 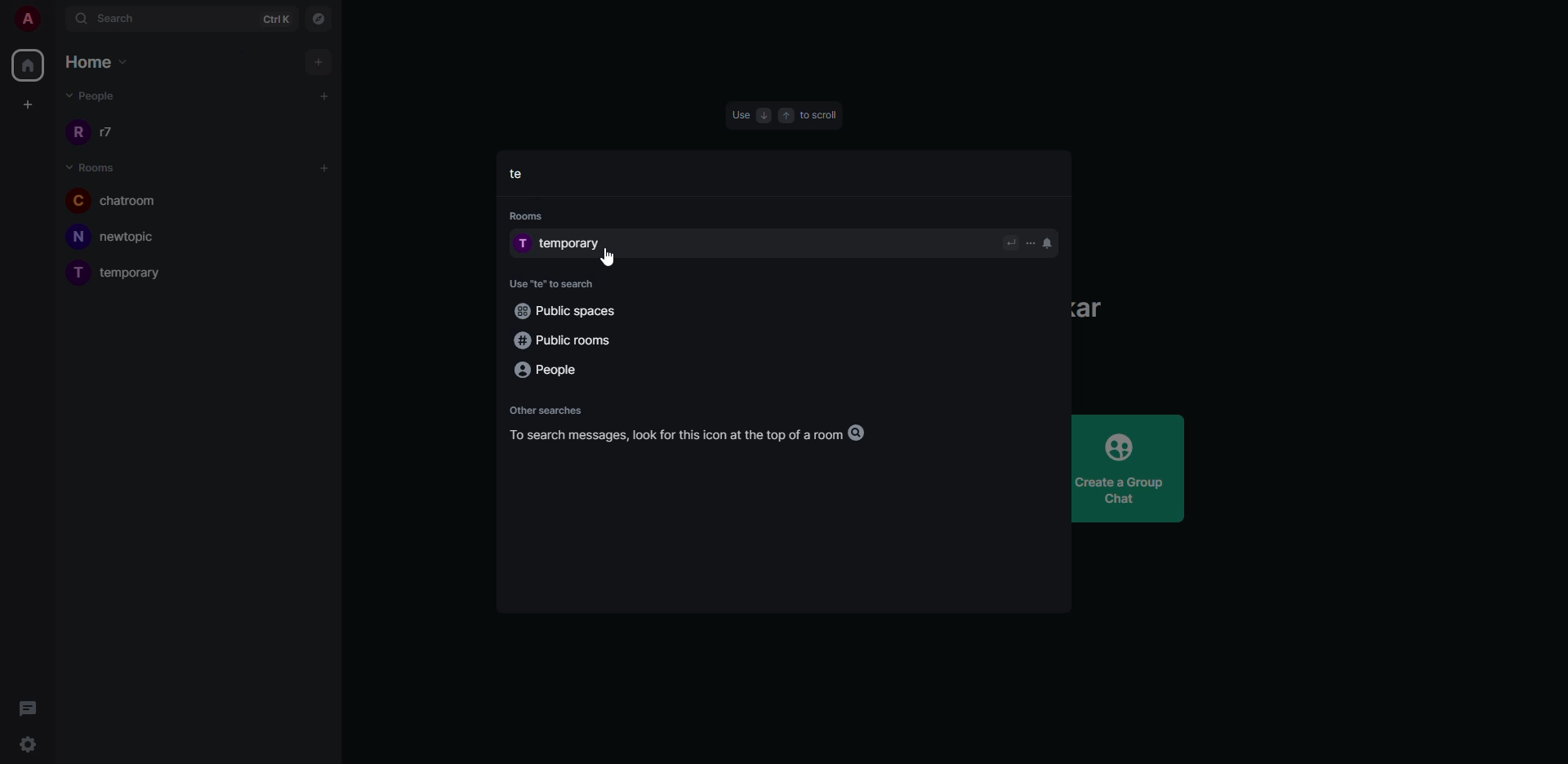 I want to click on people, so click(x=106, y=133).